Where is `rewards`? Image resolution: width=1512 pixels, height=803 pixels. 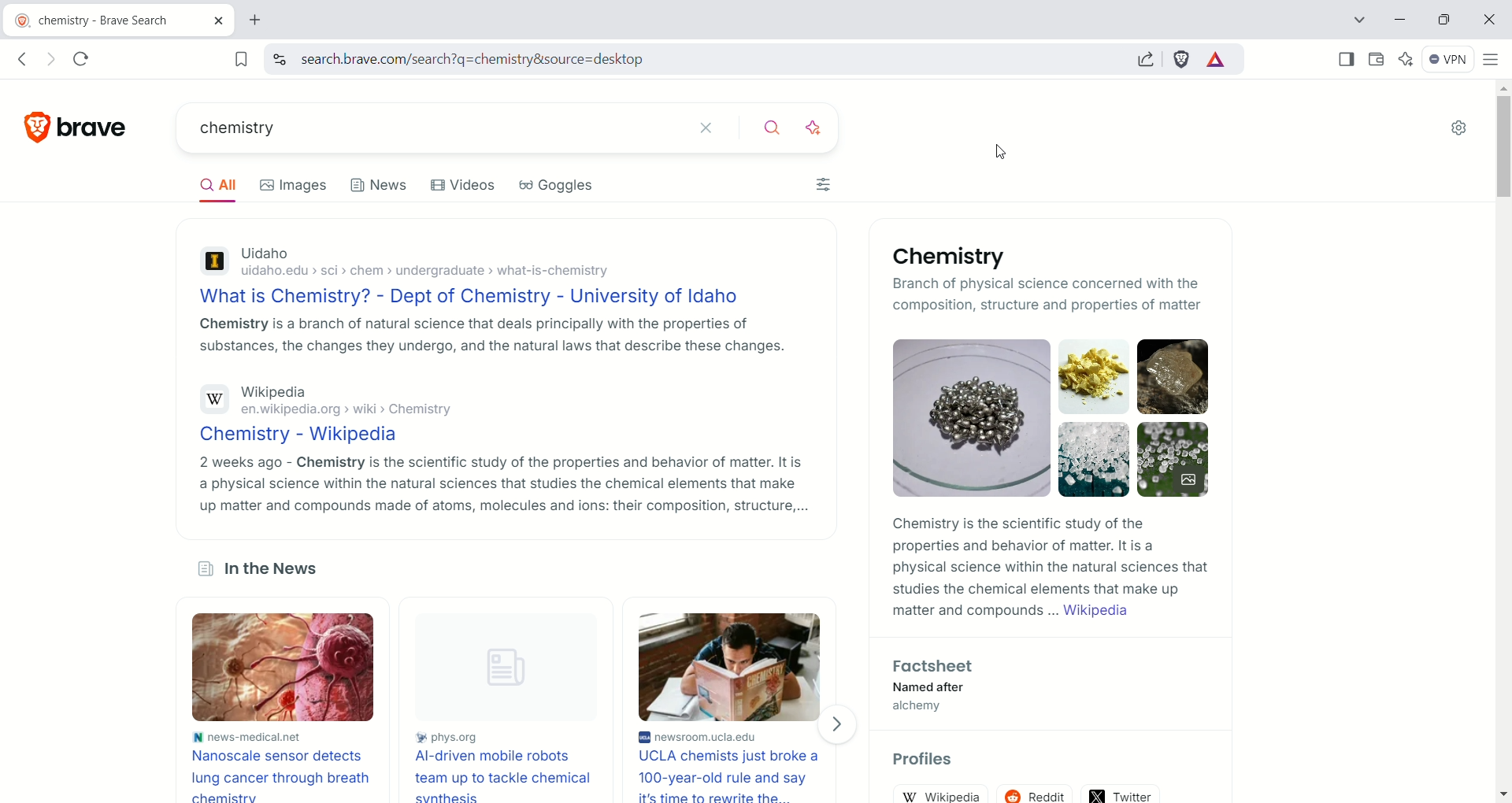 rewards is located at coordinates (1216, 60).